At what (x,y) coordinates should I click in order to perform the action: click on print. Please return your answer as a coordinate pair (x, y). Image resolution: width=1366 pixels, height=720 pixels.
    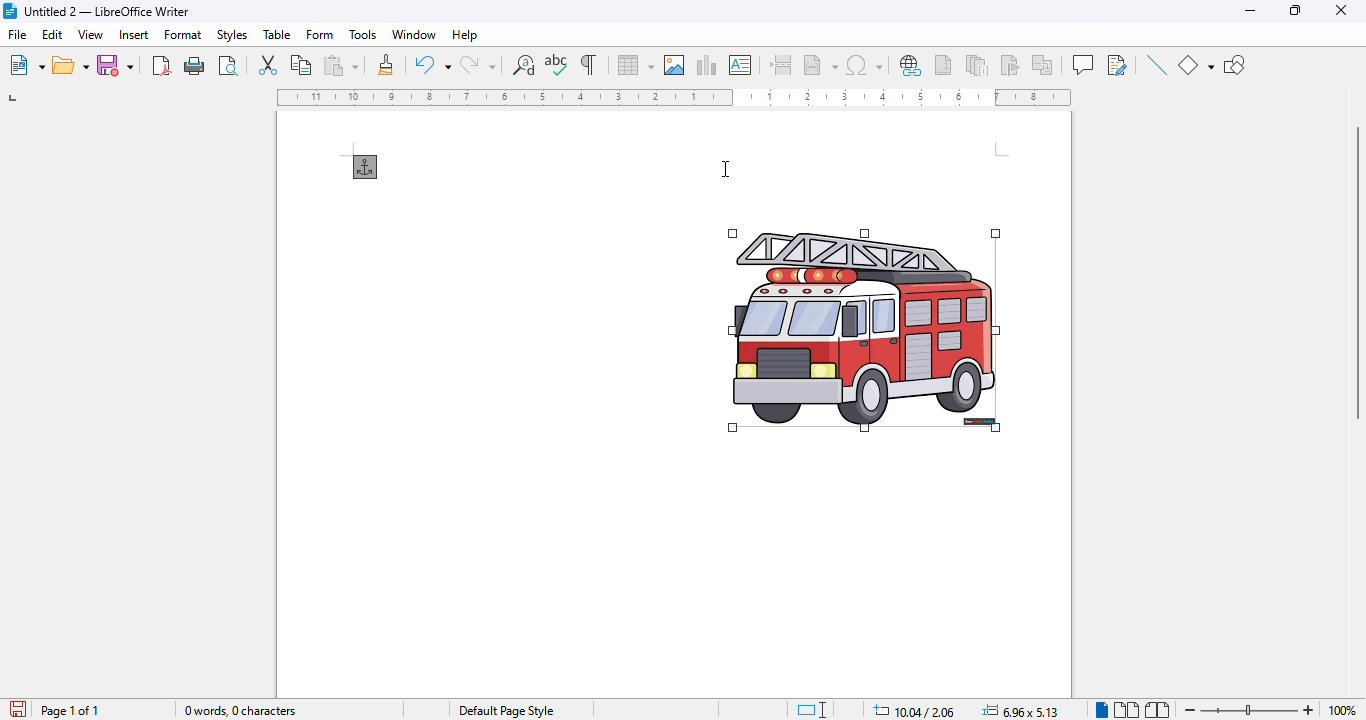
    Looking at the image, I should click on (195, 66).